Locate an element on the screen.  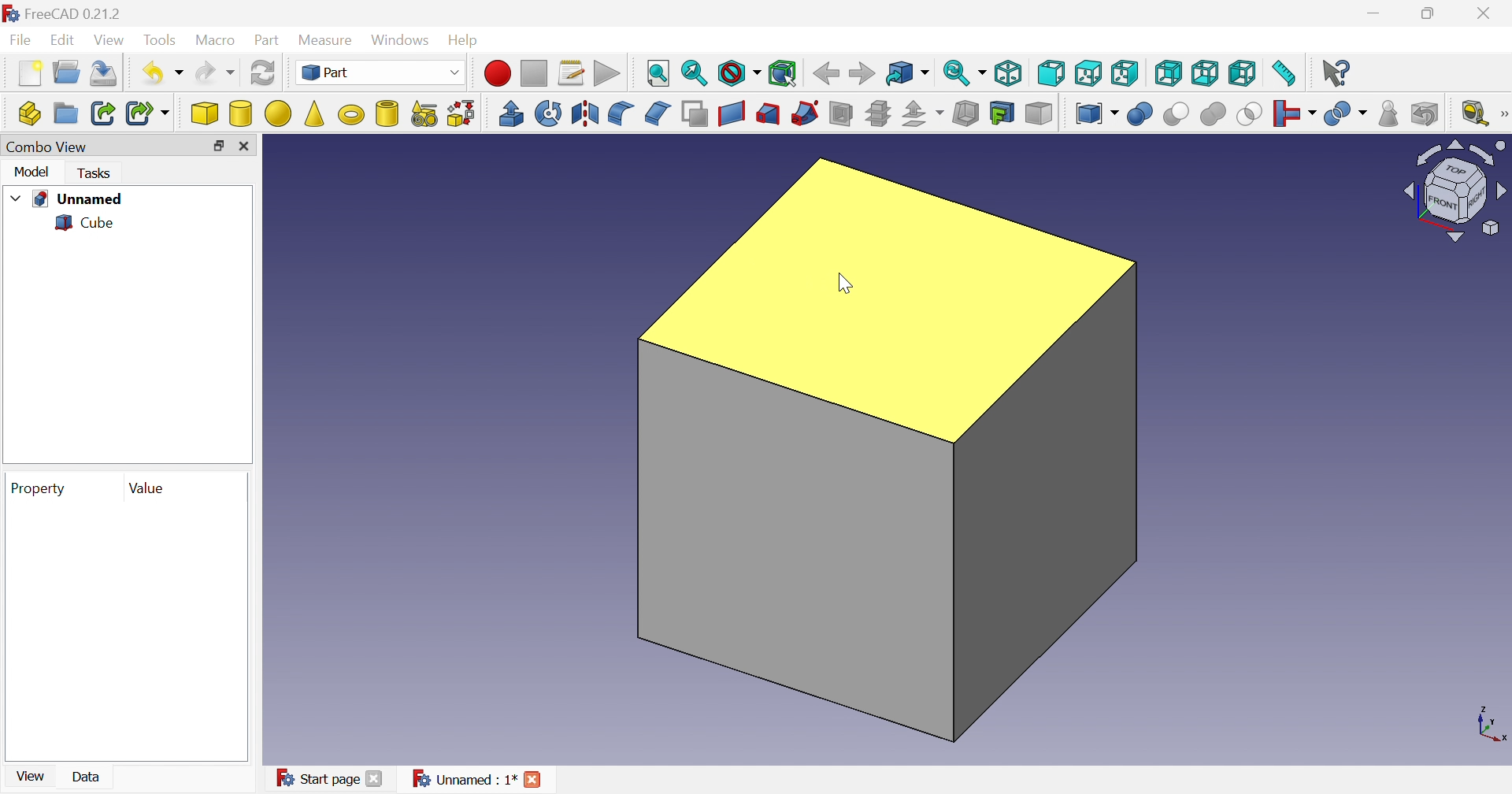
Fit style is located at coordinates (659, 74).